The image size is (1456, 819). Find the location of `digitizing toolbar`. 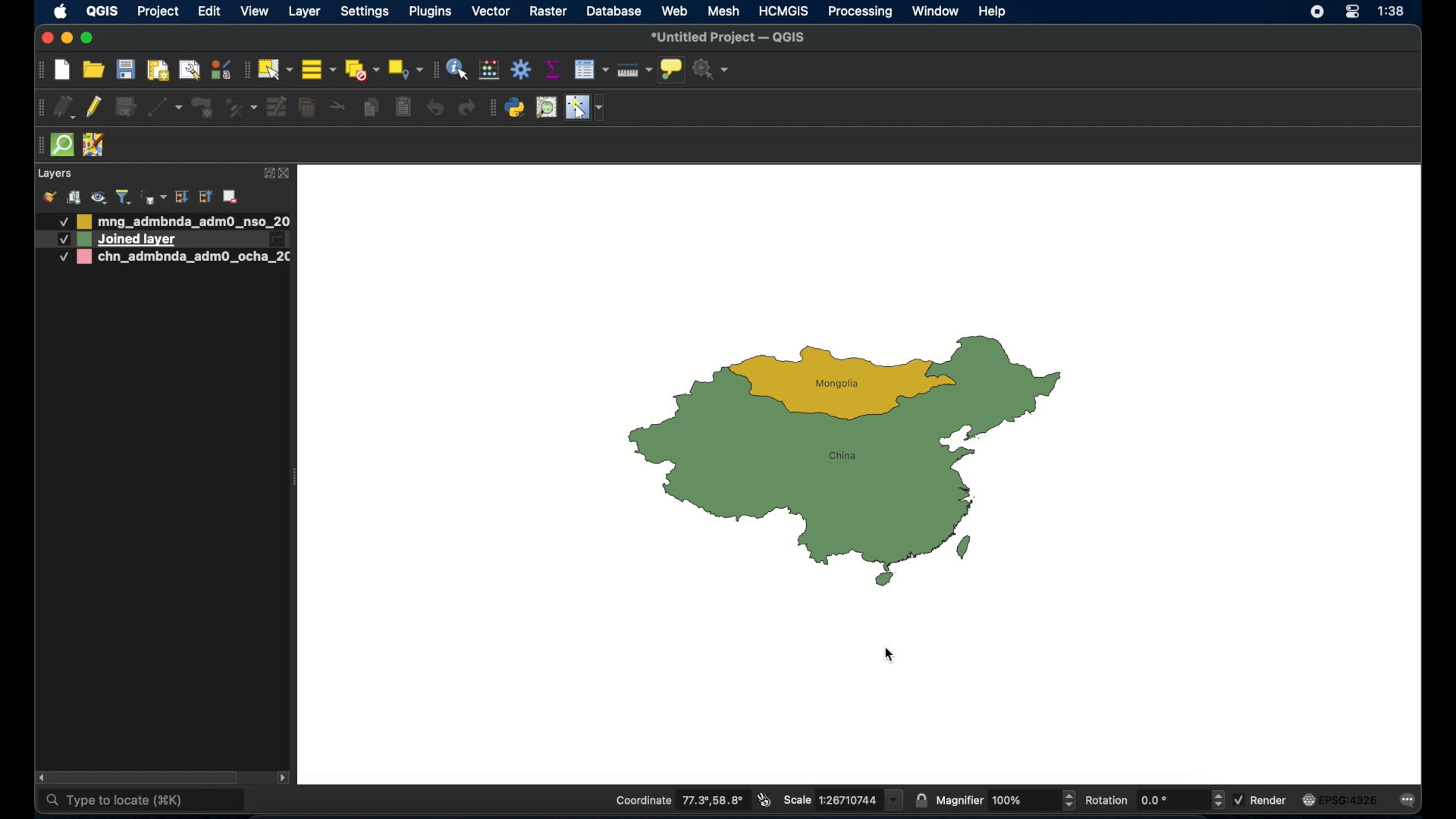

digitizing toolbar is located at coordinates (41, 108).